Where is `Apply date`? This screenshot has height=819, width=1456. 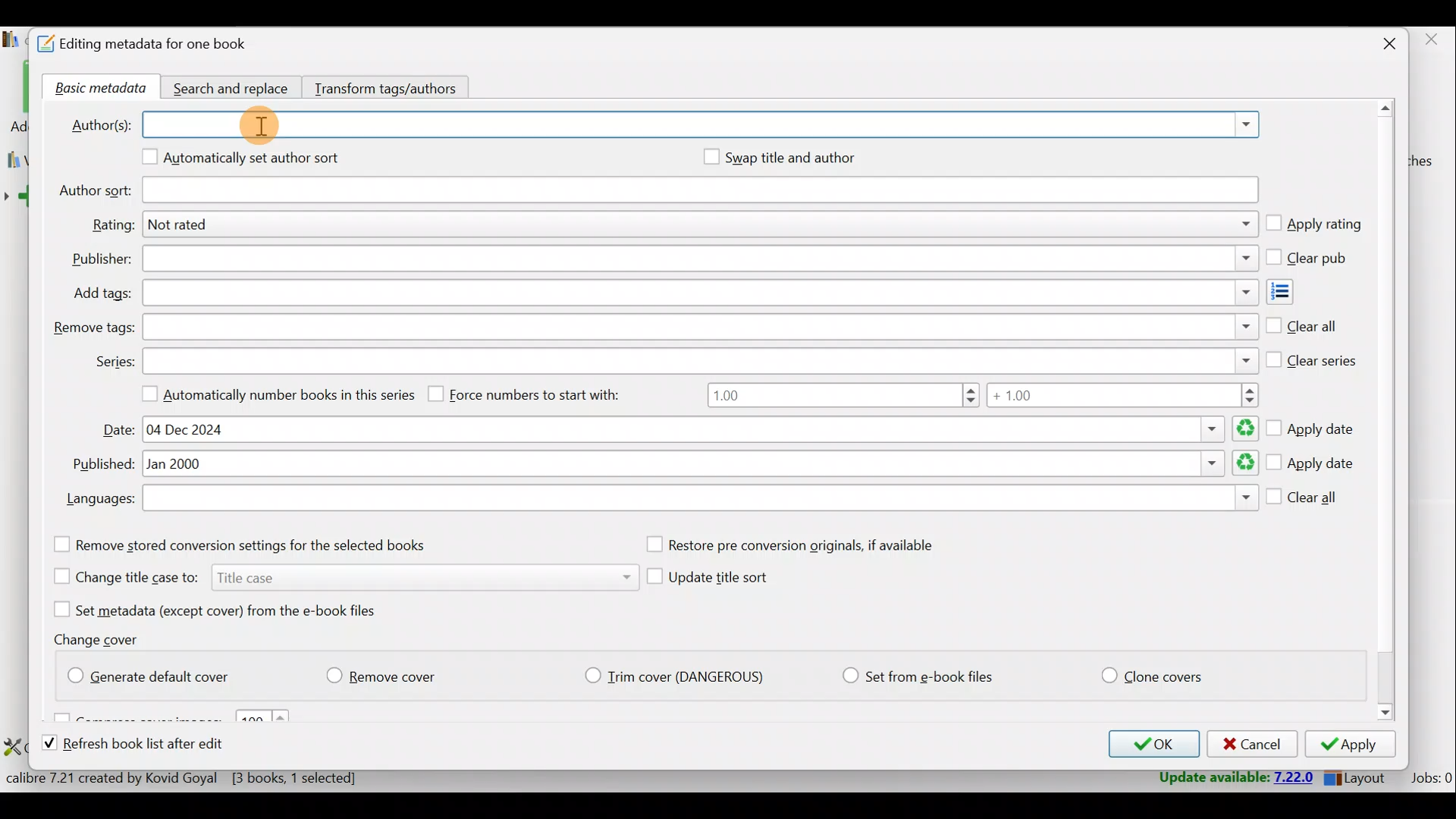
Apply date is located at coordinates (1311, 464).